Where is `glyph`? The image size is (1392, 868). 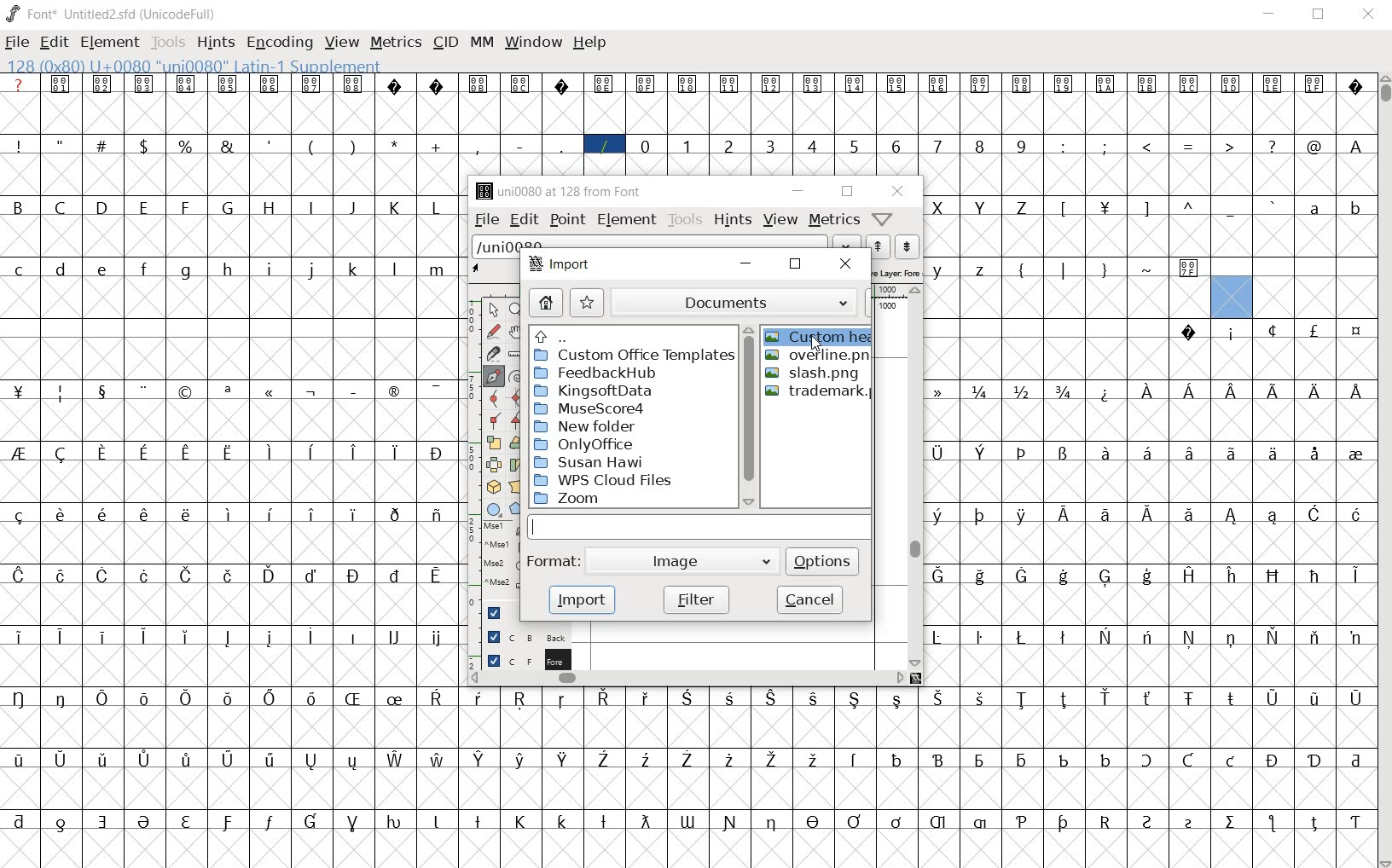
glyph is located at coordinates (435, 822).